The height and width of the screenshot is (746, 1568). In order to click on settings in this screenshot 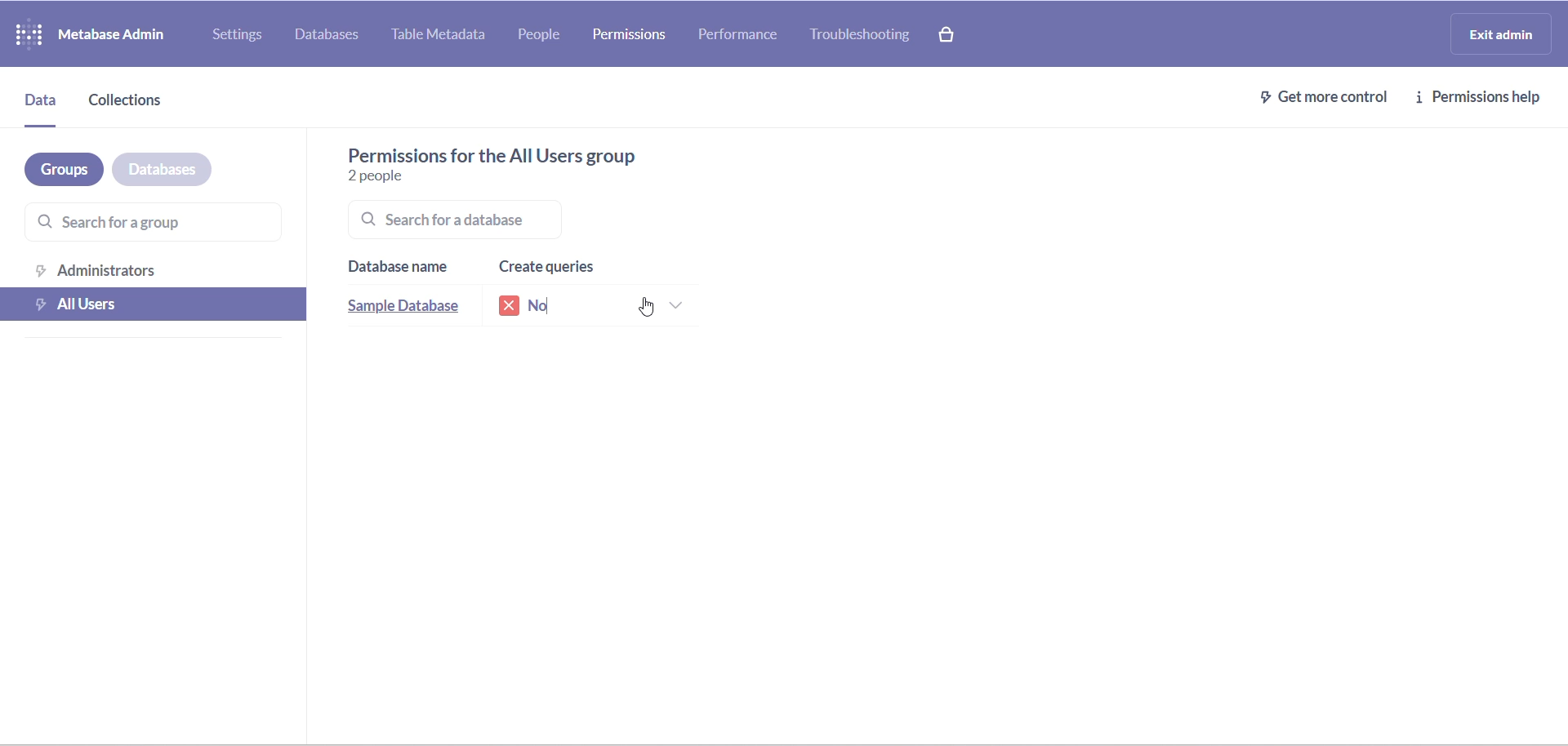, I will do `click(239, 34)`.